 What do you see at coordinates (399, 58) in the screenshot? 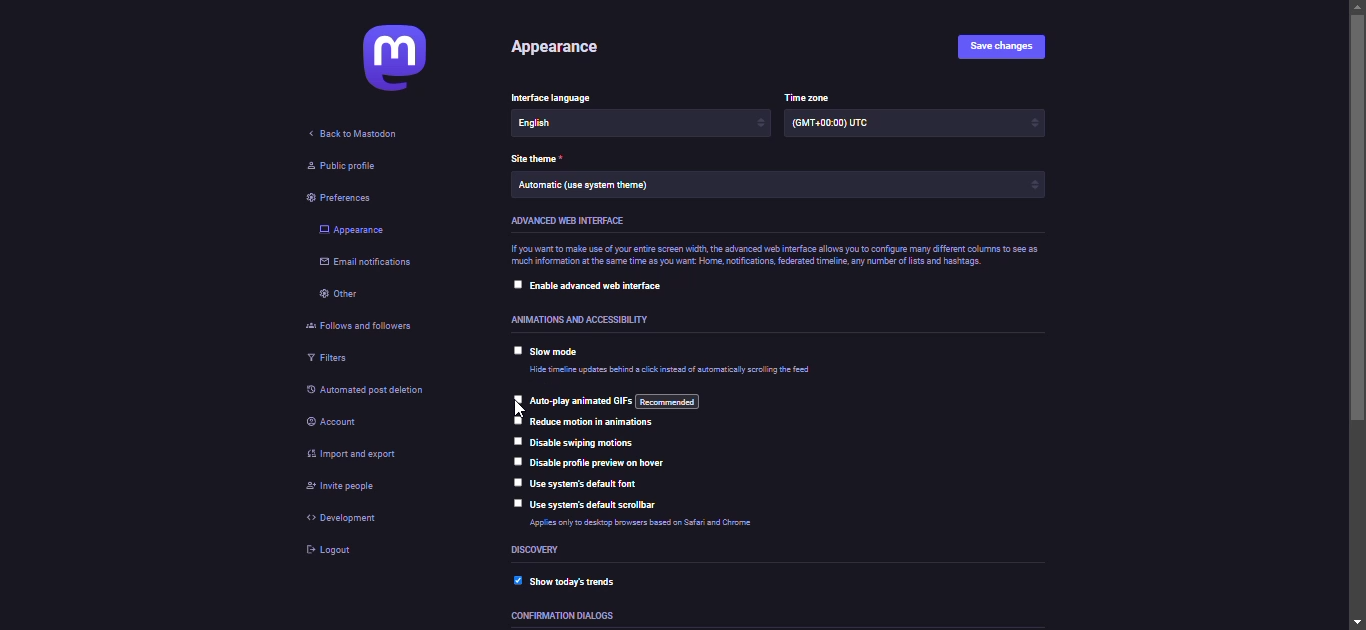
I see `mastodon` at bounding box center [399, 58].